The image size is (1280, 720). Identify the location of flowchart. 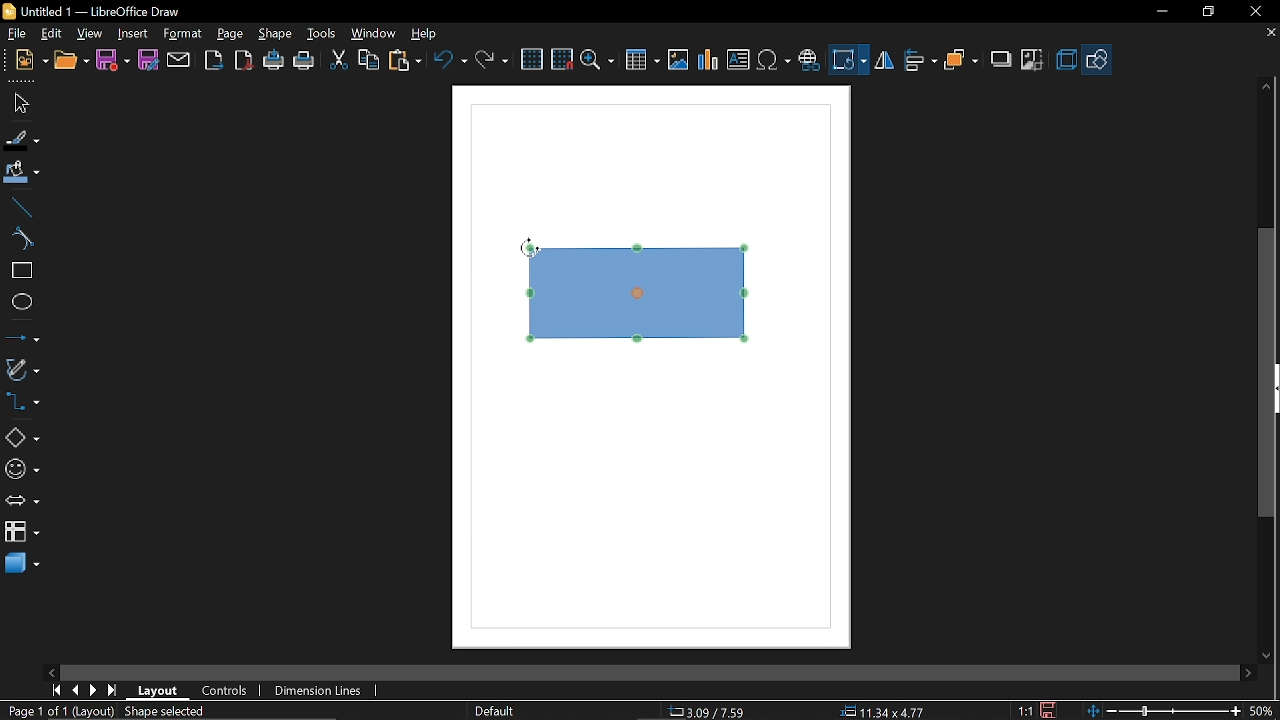
(21, 534).